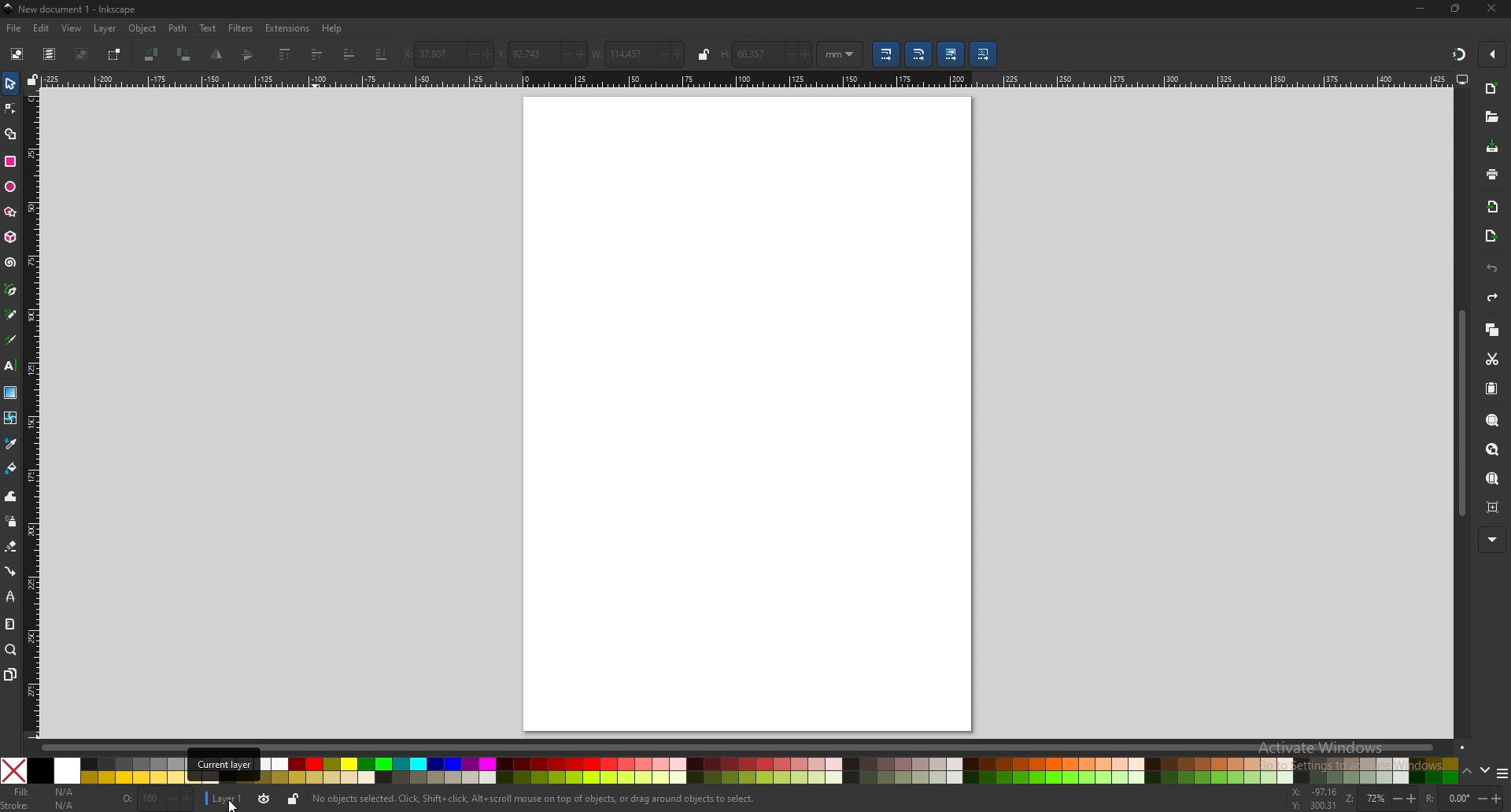 This screenshot has width=1511, height=812. I want to click on more colors, so click(1502, 773).